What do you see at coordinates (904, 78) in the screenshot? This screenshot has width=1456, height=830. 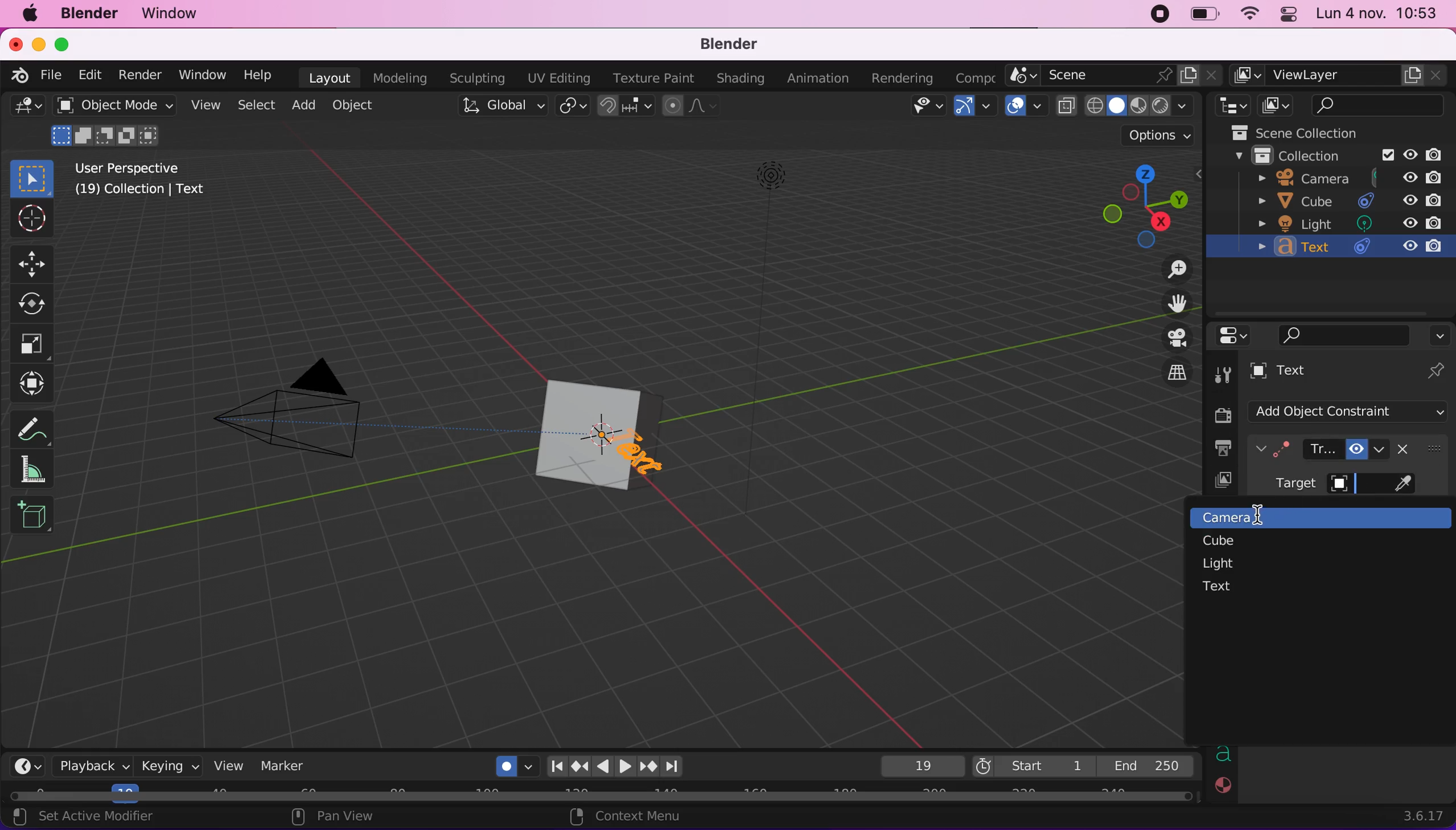 I see `rendering` at bounding box center [904, 78].